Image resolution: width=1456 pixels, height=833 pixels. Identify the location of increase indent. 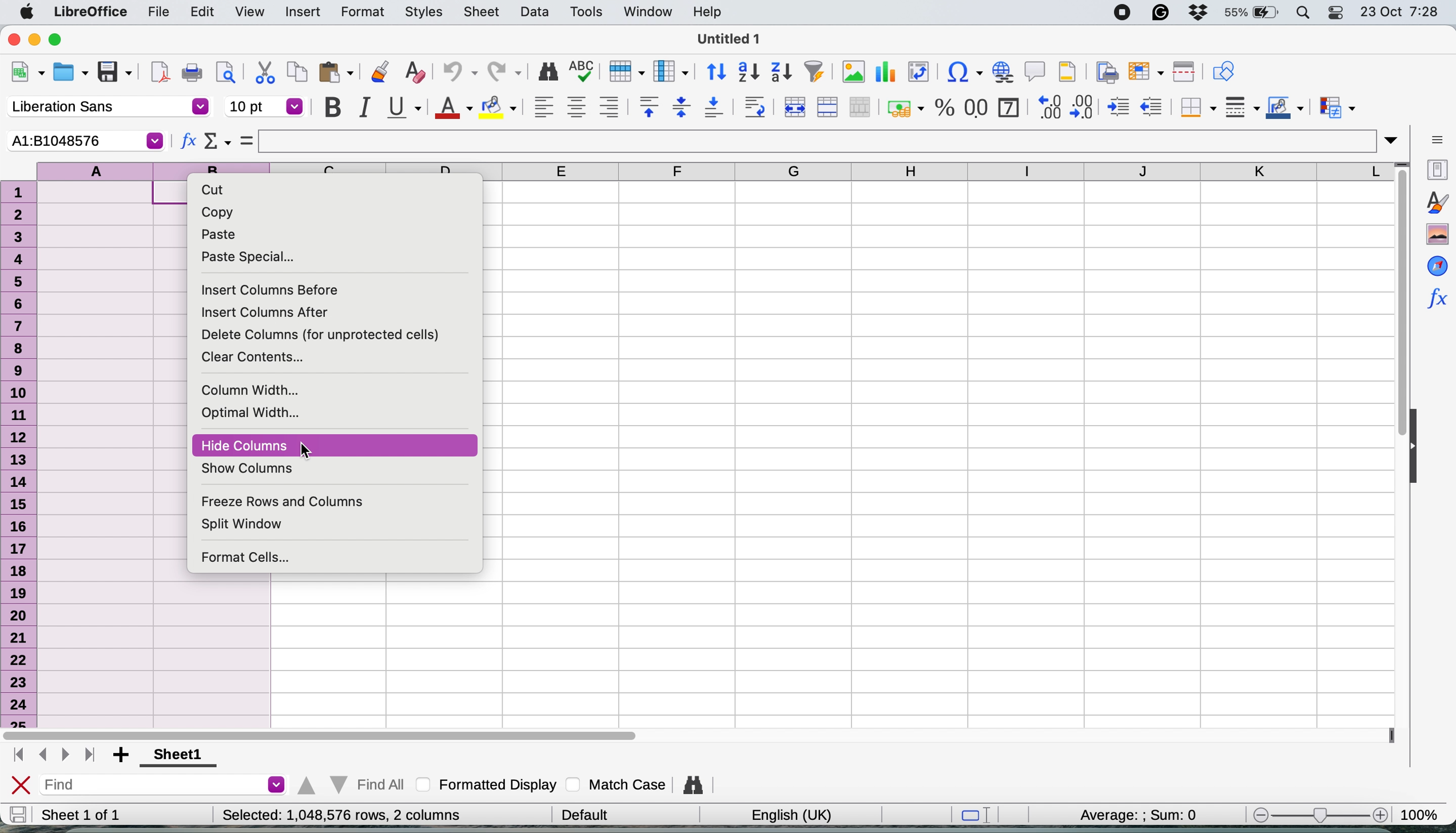
(1117, 106).